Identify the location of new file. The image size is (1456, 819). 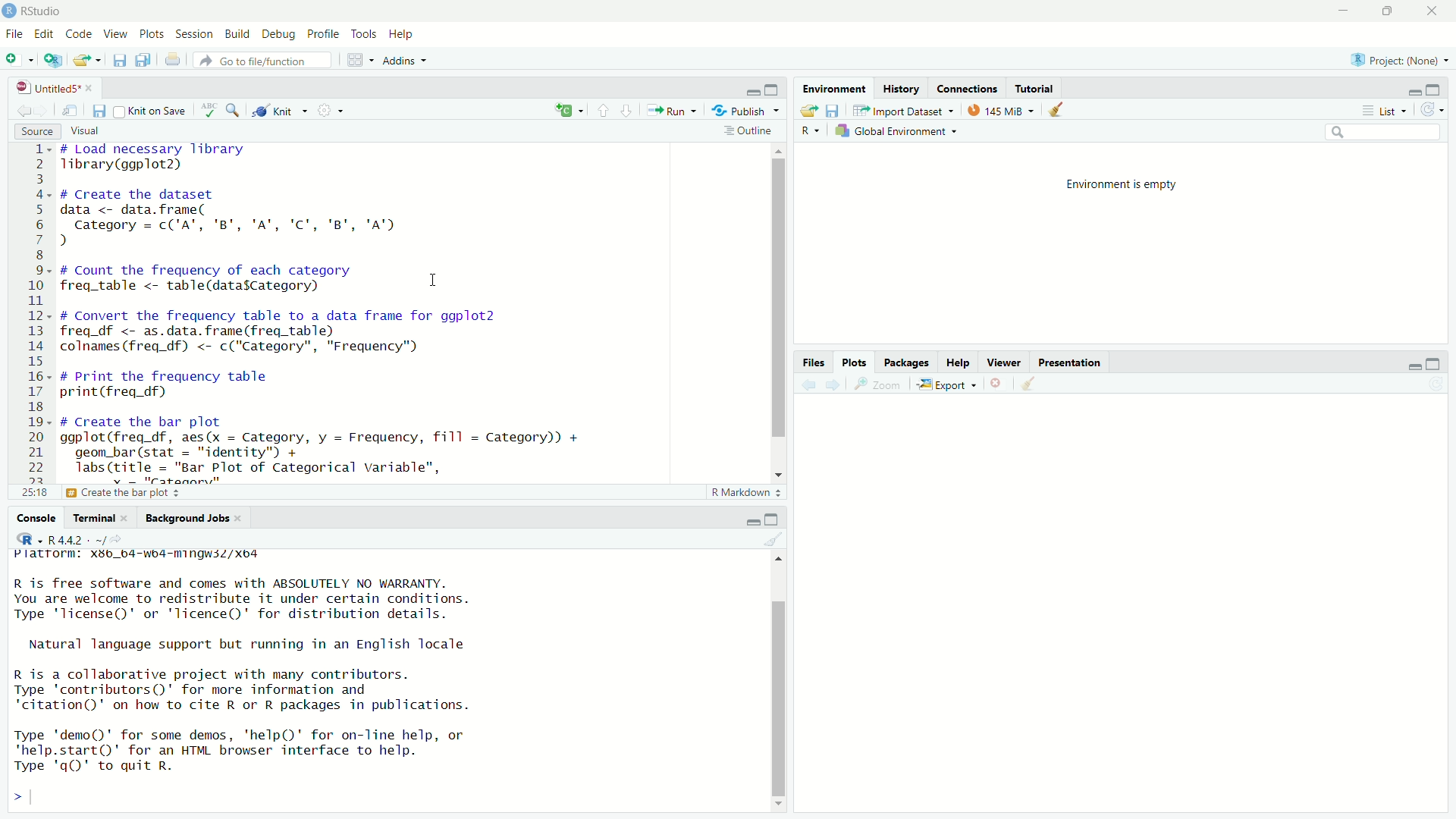
(17, 61).